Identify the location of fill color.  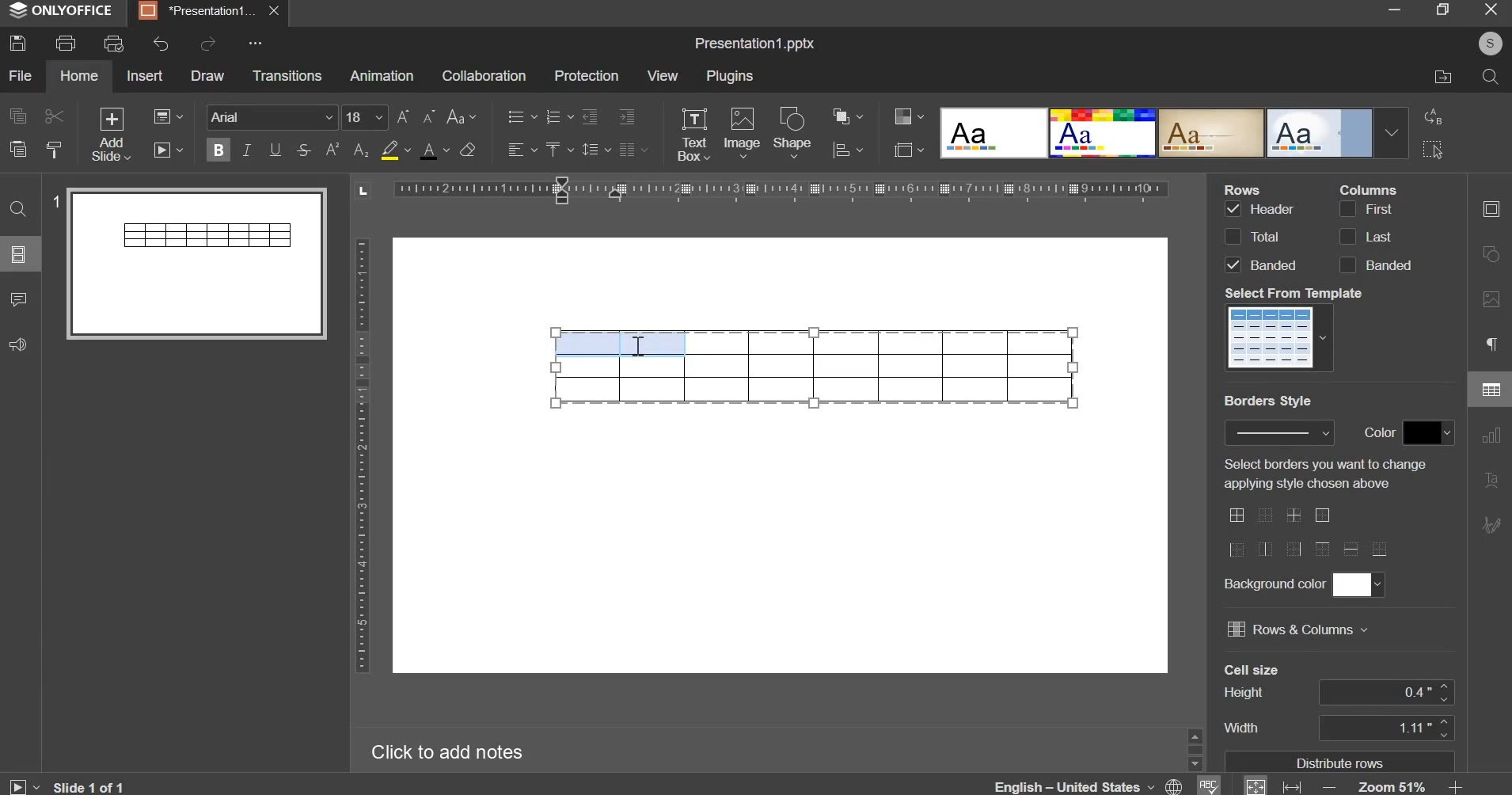
(394, 150).